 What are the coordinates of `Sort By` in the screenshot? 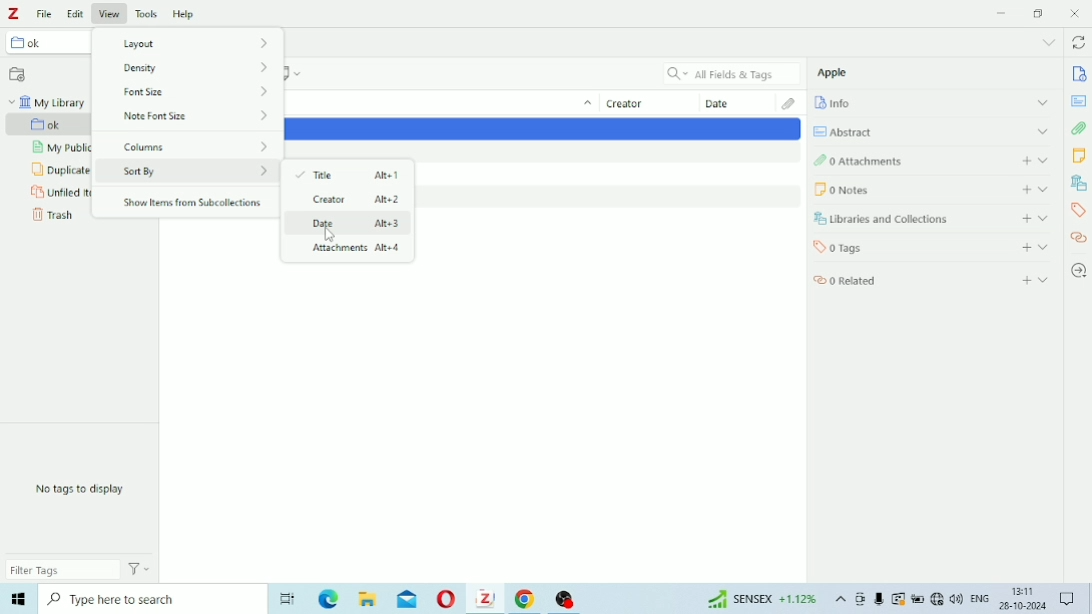 It's located at (195, 172).